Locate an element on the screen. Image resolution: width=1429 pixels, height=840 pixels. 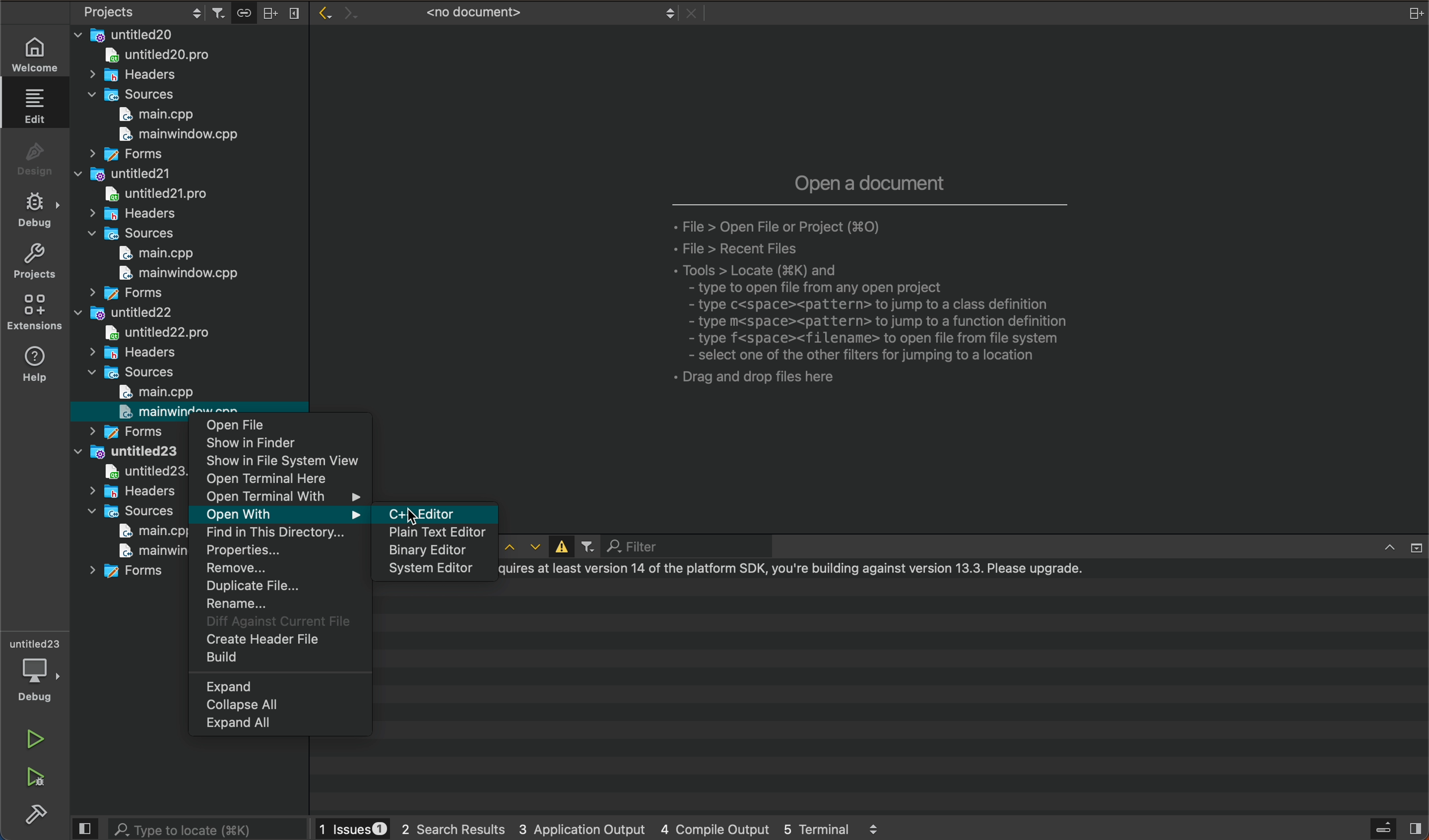
run is located at coordinates (35, 736).